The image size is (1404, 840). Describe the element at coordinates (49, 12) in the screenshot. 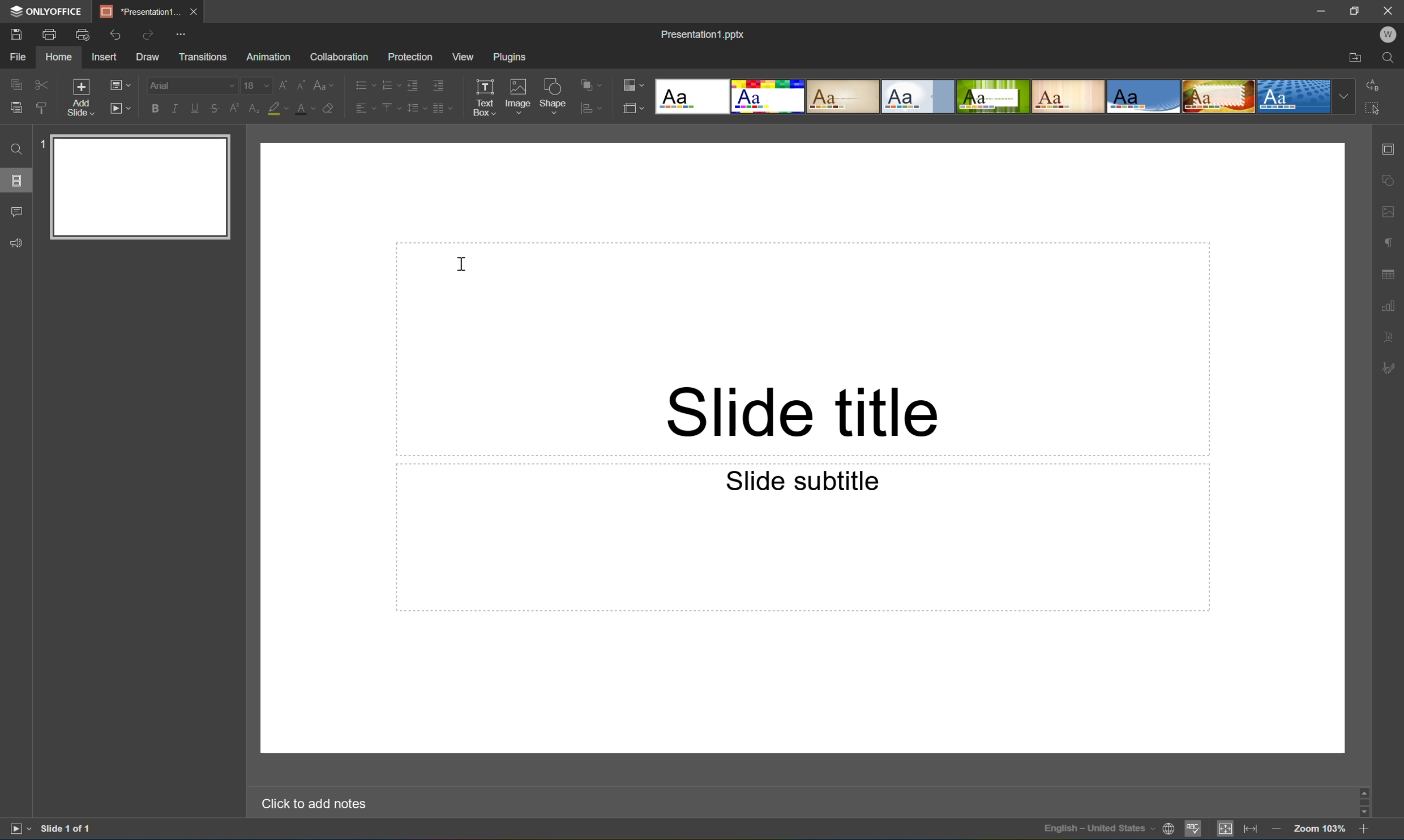

I see `ONLYOFFICE` at that location.